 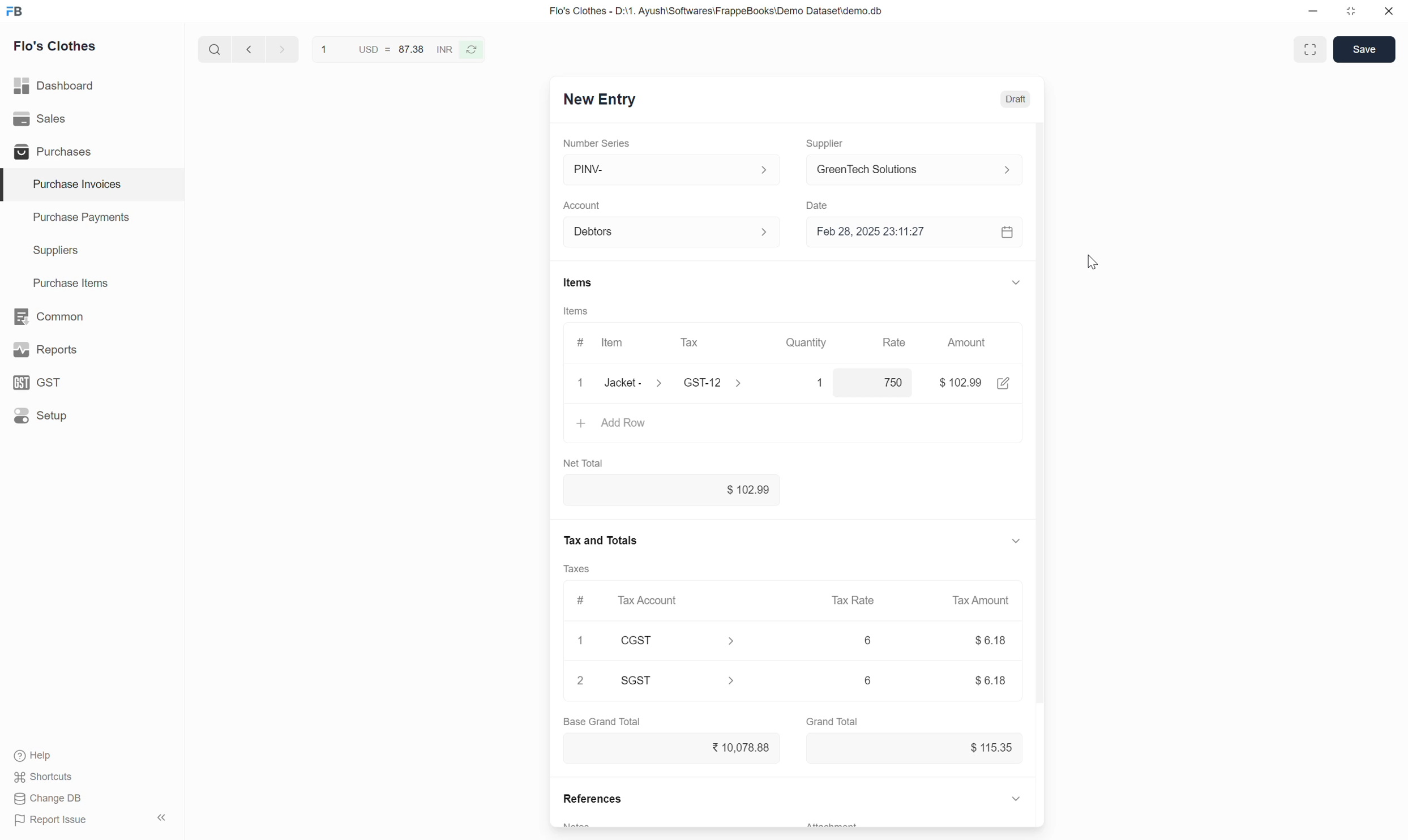 I want to click on Tax, so click(x=712, y=343).